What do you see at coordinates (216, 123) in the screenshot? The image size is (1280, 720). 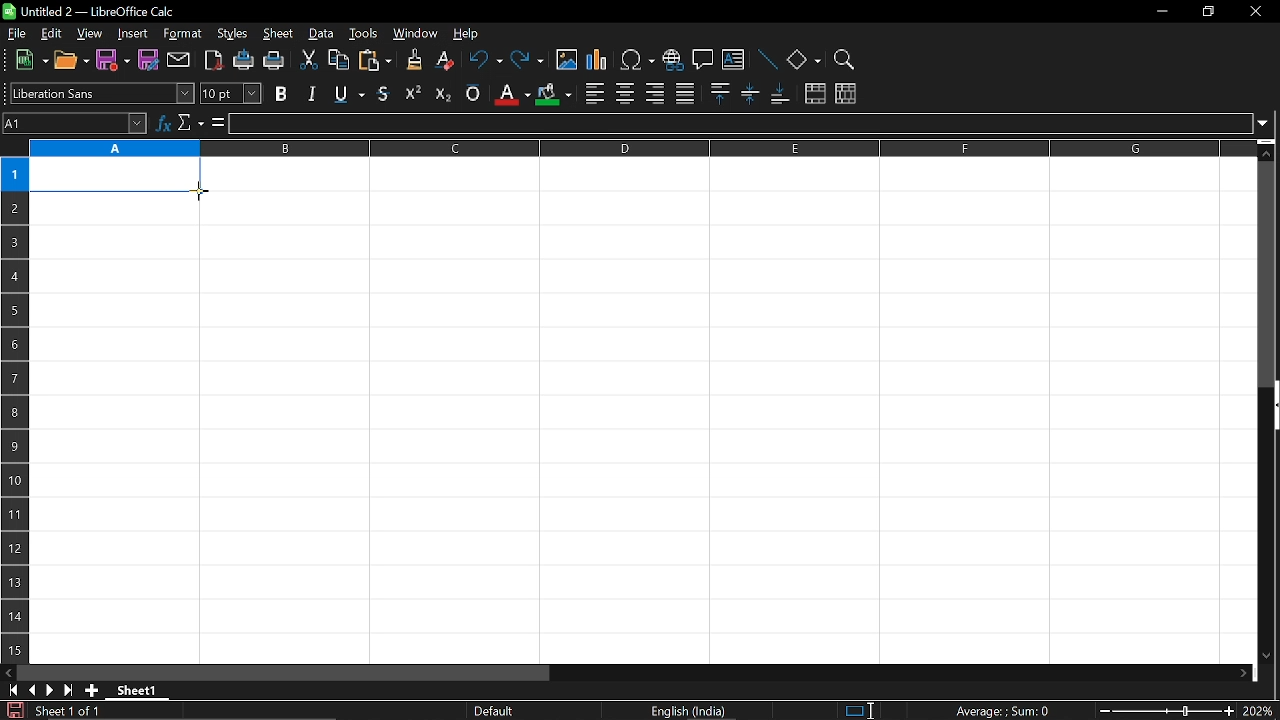 I see `formula` at bounding box center [216, 123].